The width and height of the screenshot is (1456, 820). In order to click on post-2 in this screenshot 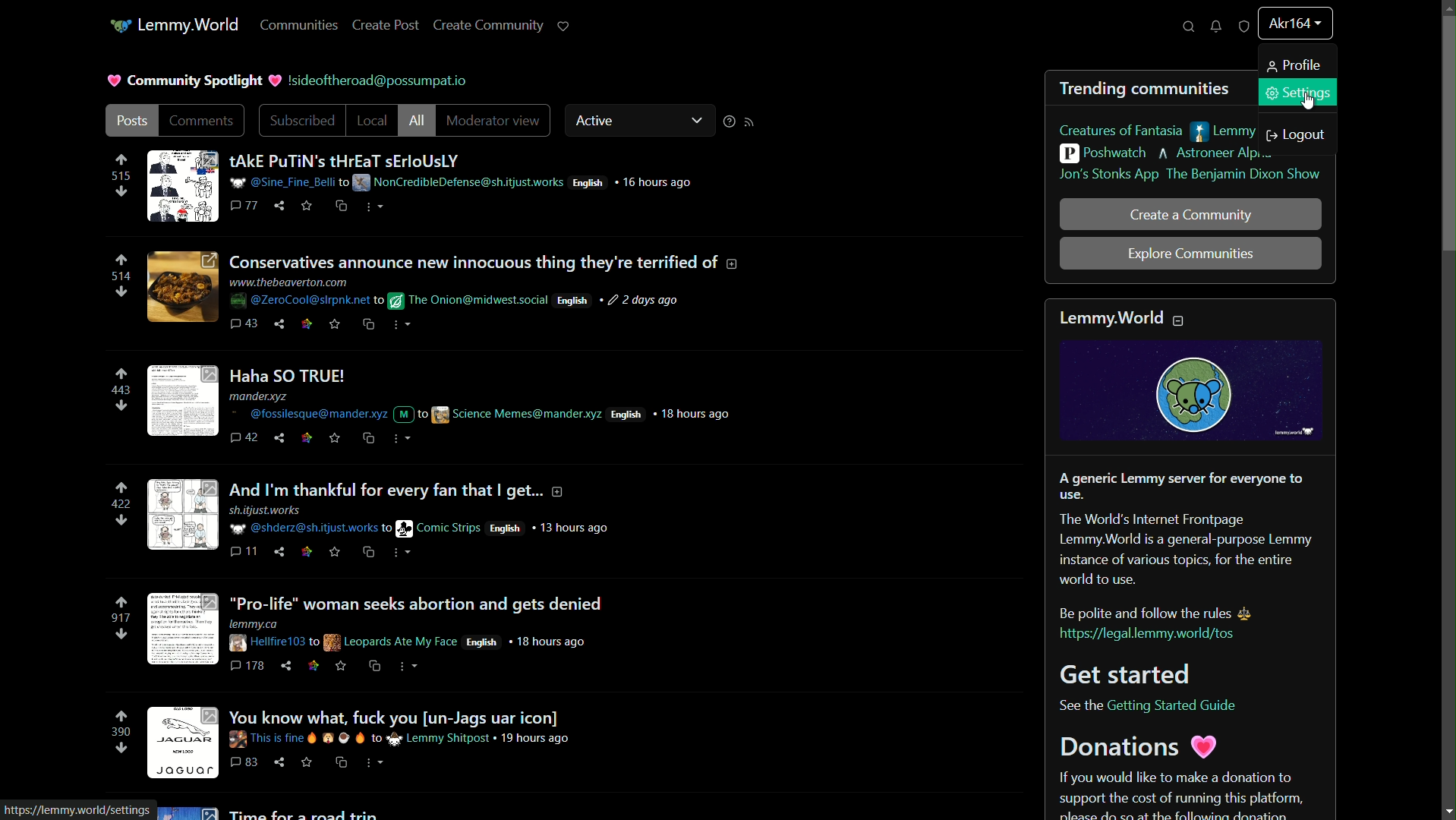, I will do `click(443, 291)`.